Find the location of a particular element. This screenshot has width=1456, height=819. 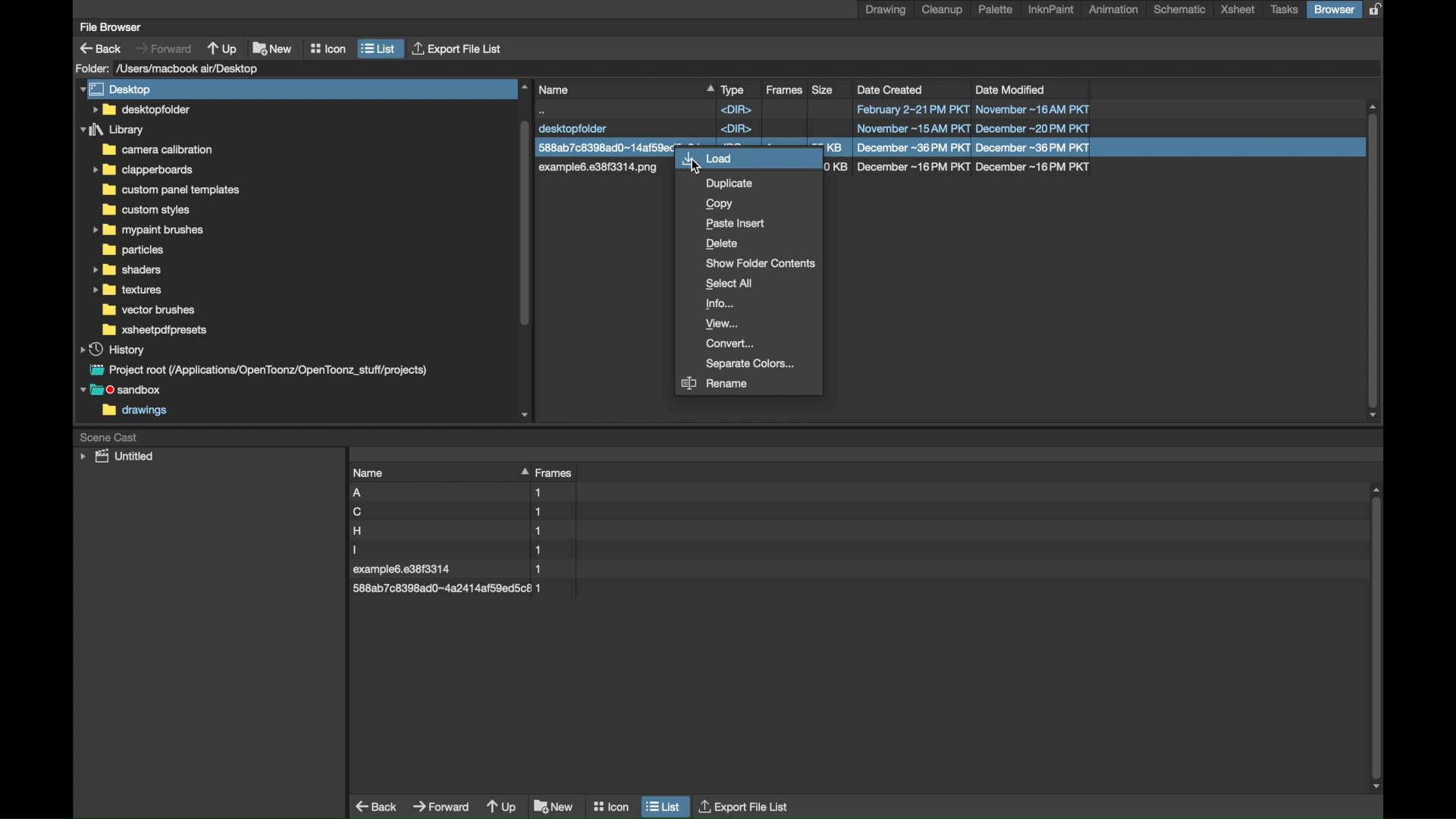

file is located at coordinates (604, 168).